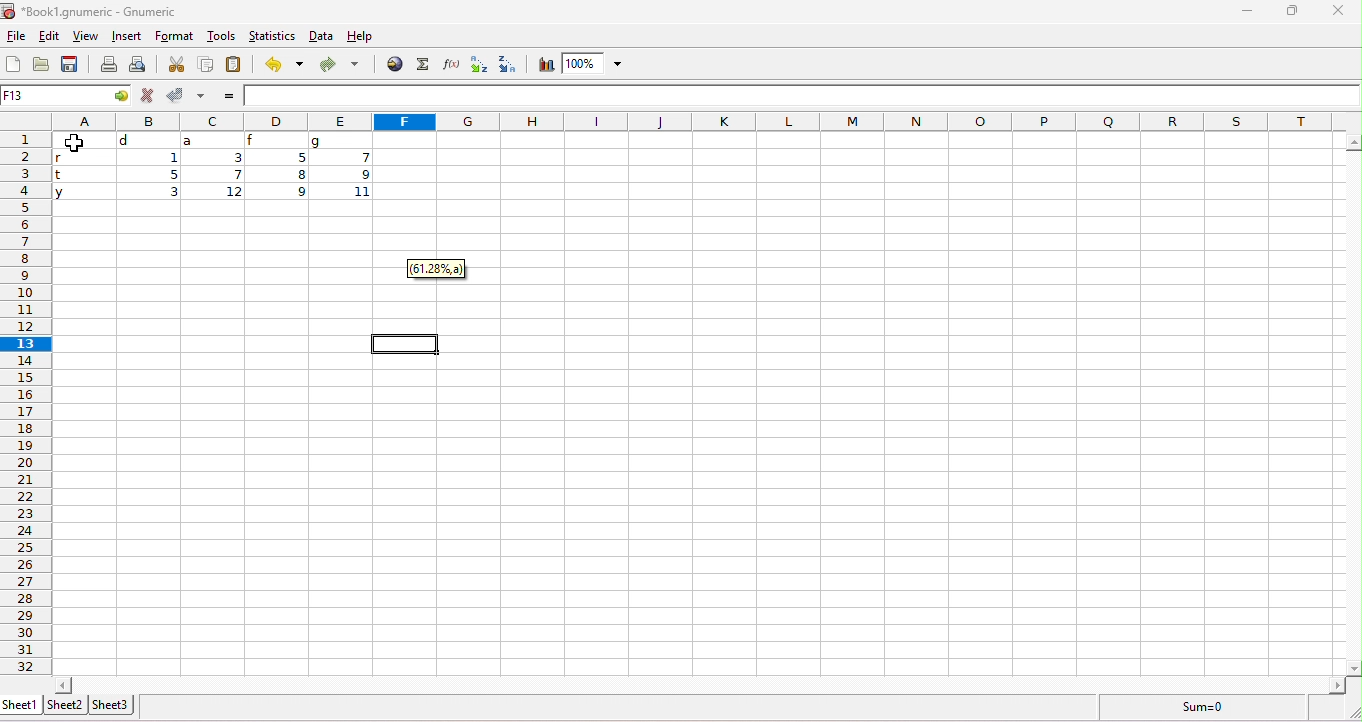  Describe the element at coordinates (693, 121) in the screenshot. I see `column headings` at that location.